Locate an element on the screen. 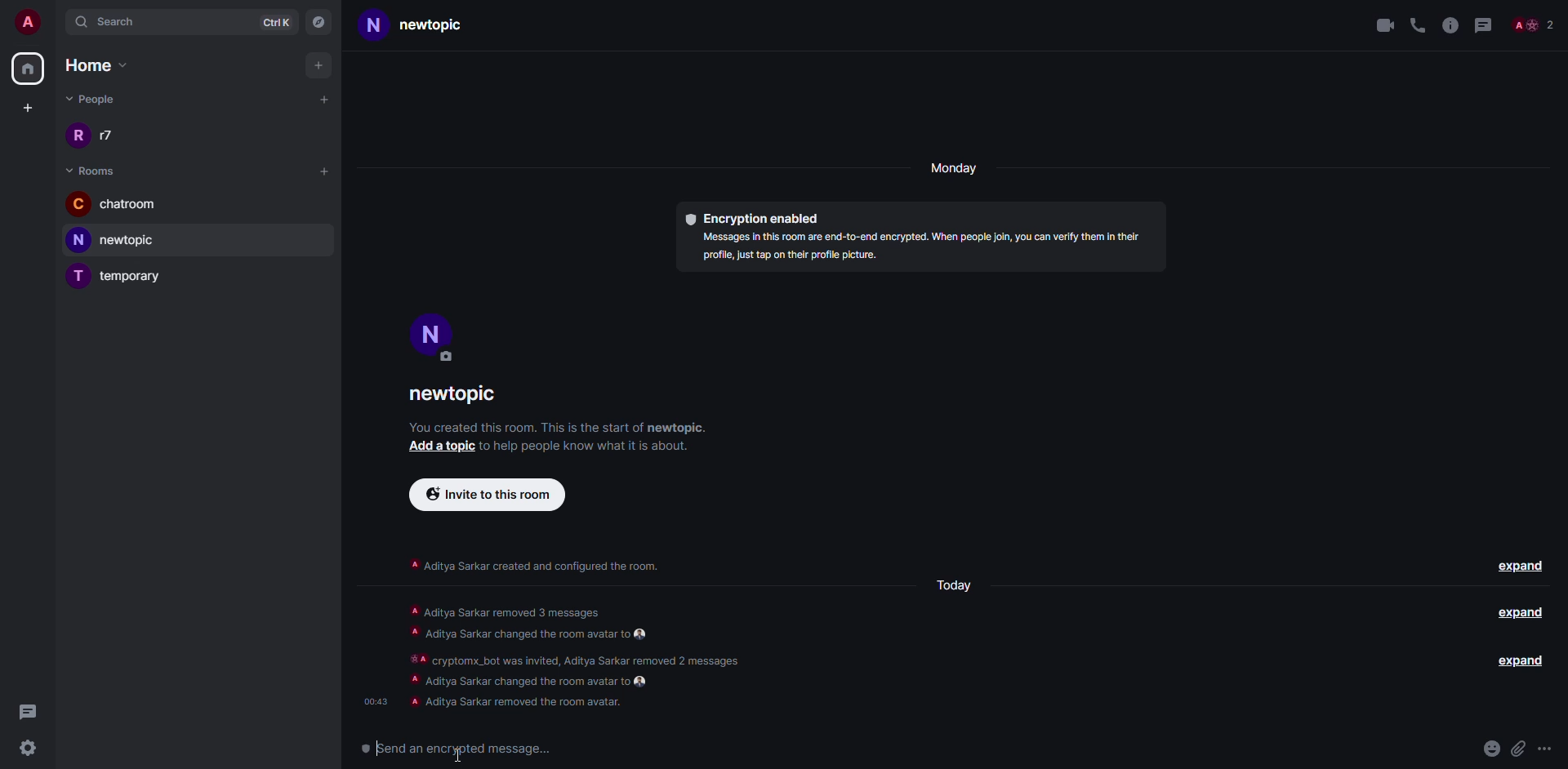 Image resolution: width=1568 pixels, height=769 pixels. more is located at coordinates (1550, 751).